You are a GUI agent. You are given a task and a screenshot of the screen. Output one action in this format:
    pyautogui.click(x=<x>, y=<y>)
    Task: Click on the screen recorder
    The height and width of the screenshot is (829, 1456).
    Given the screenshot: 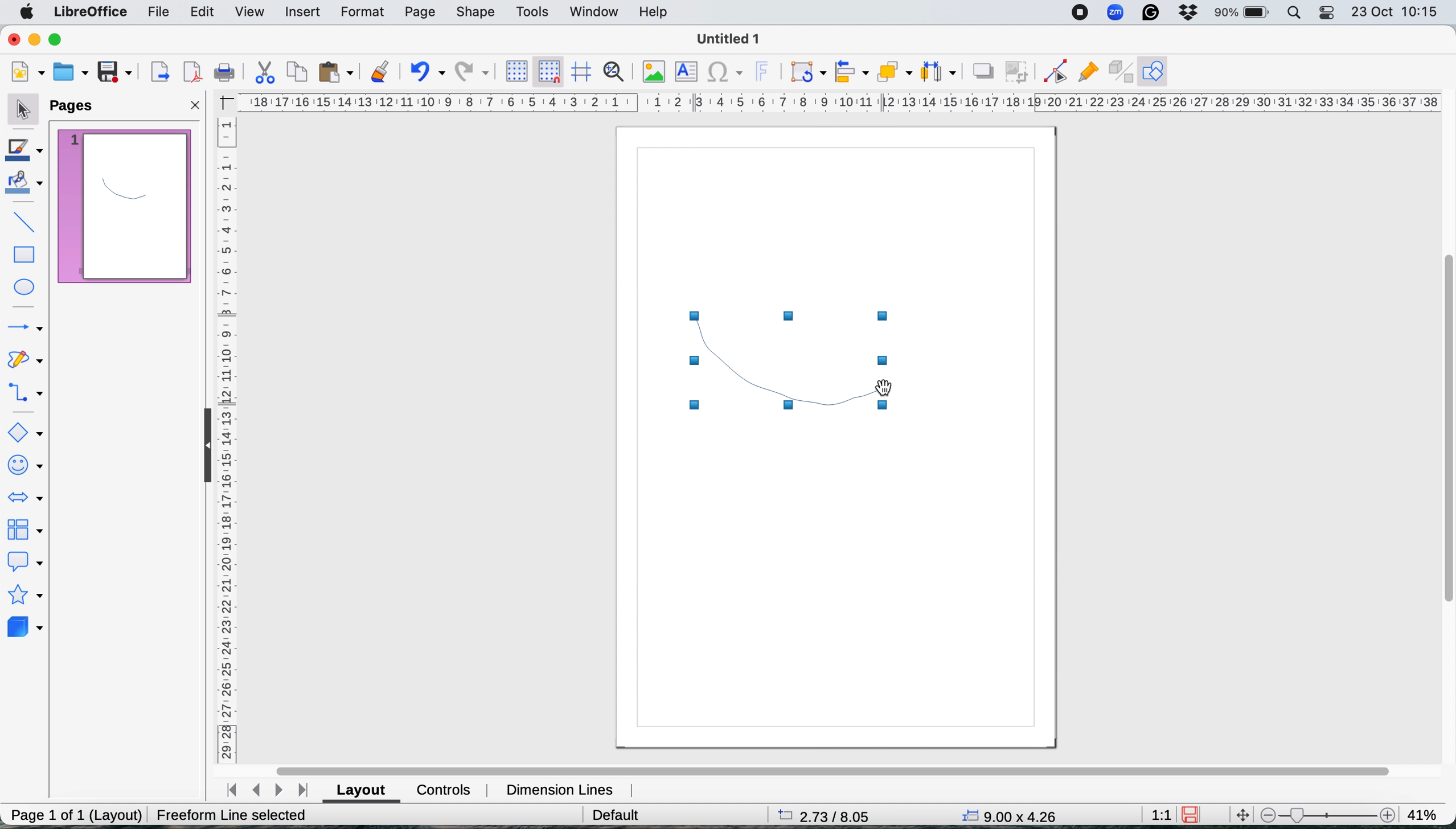 What is the action you would take?
    pyautogui.click(x=1081, y=13)
    